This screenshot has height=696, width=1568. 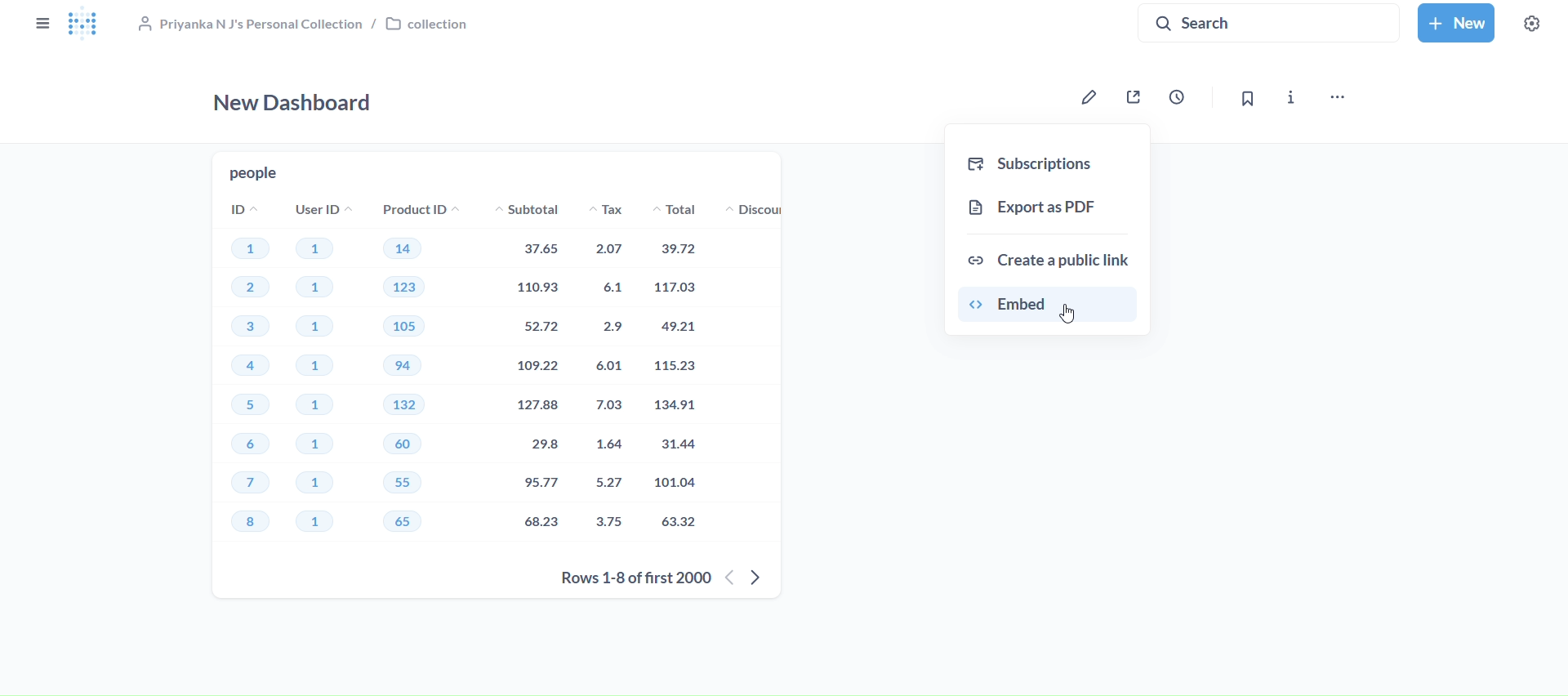 What do you see at coordinates (309, 24) in the screenshot?
I see `&, Priyanka N J's Personal Collection / [J collection` at bounding box center [309, 24].